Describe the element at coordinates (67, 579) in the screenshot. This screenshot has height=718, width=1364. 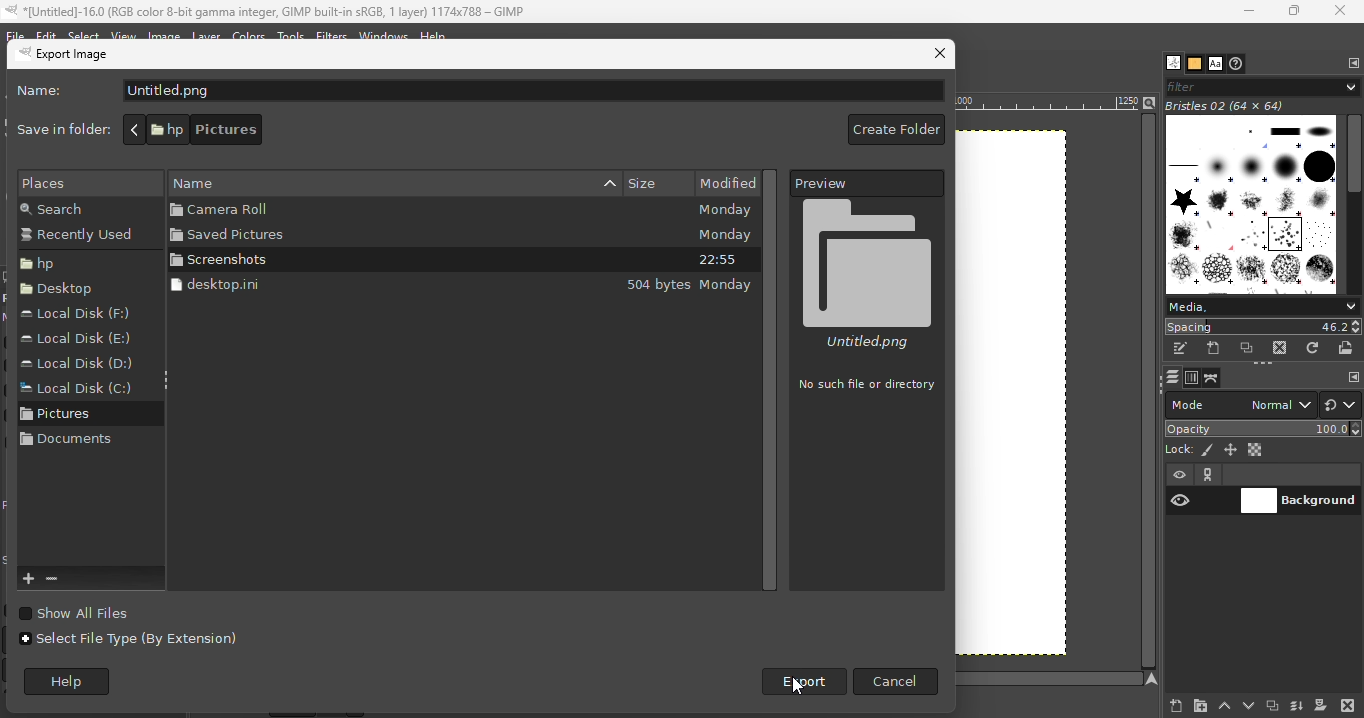
I see `Bookmark cannot be removed` at that location.